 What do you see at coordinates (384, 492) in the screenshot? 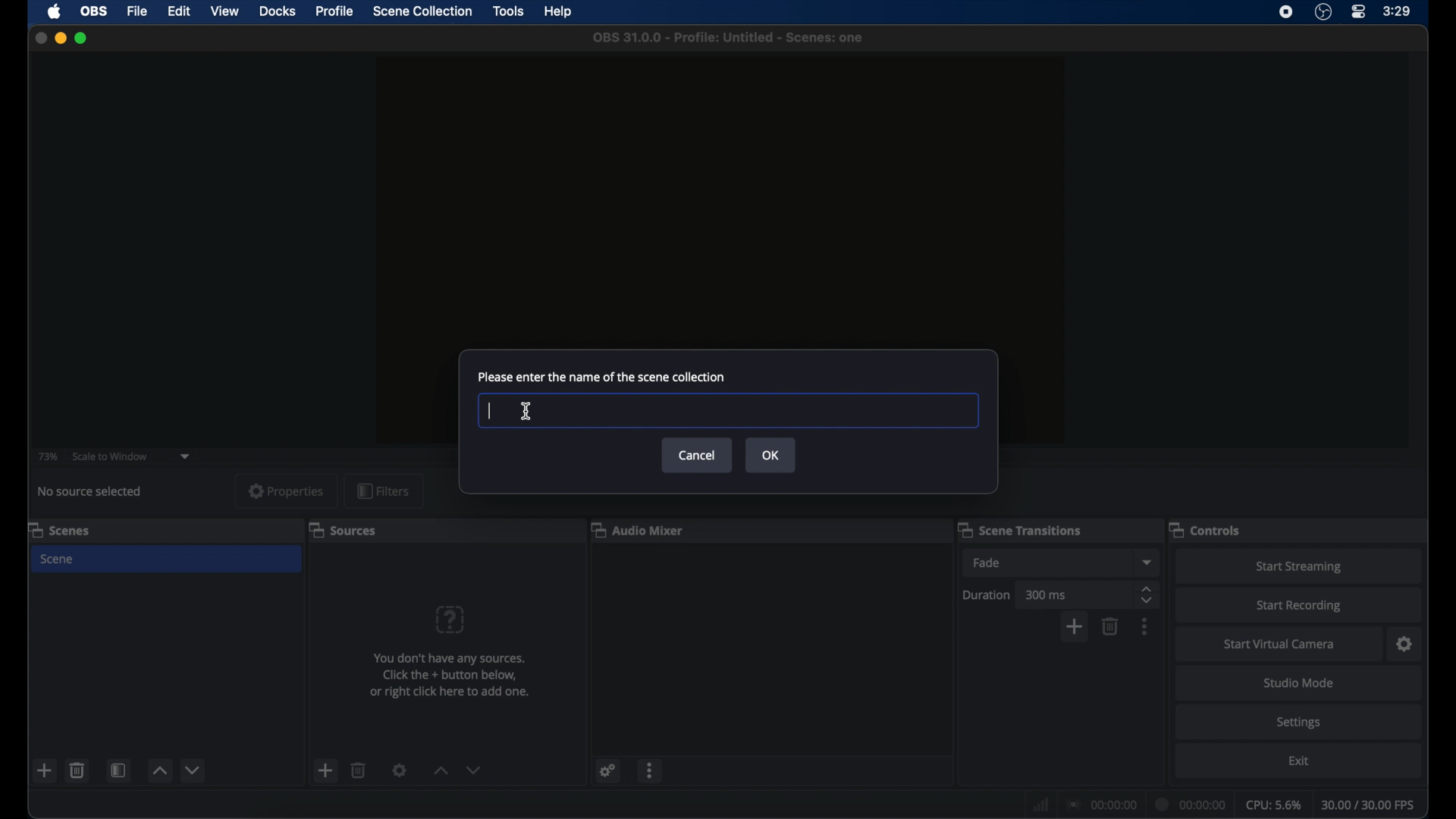
I see `filters` at bounding box center [384, 492].